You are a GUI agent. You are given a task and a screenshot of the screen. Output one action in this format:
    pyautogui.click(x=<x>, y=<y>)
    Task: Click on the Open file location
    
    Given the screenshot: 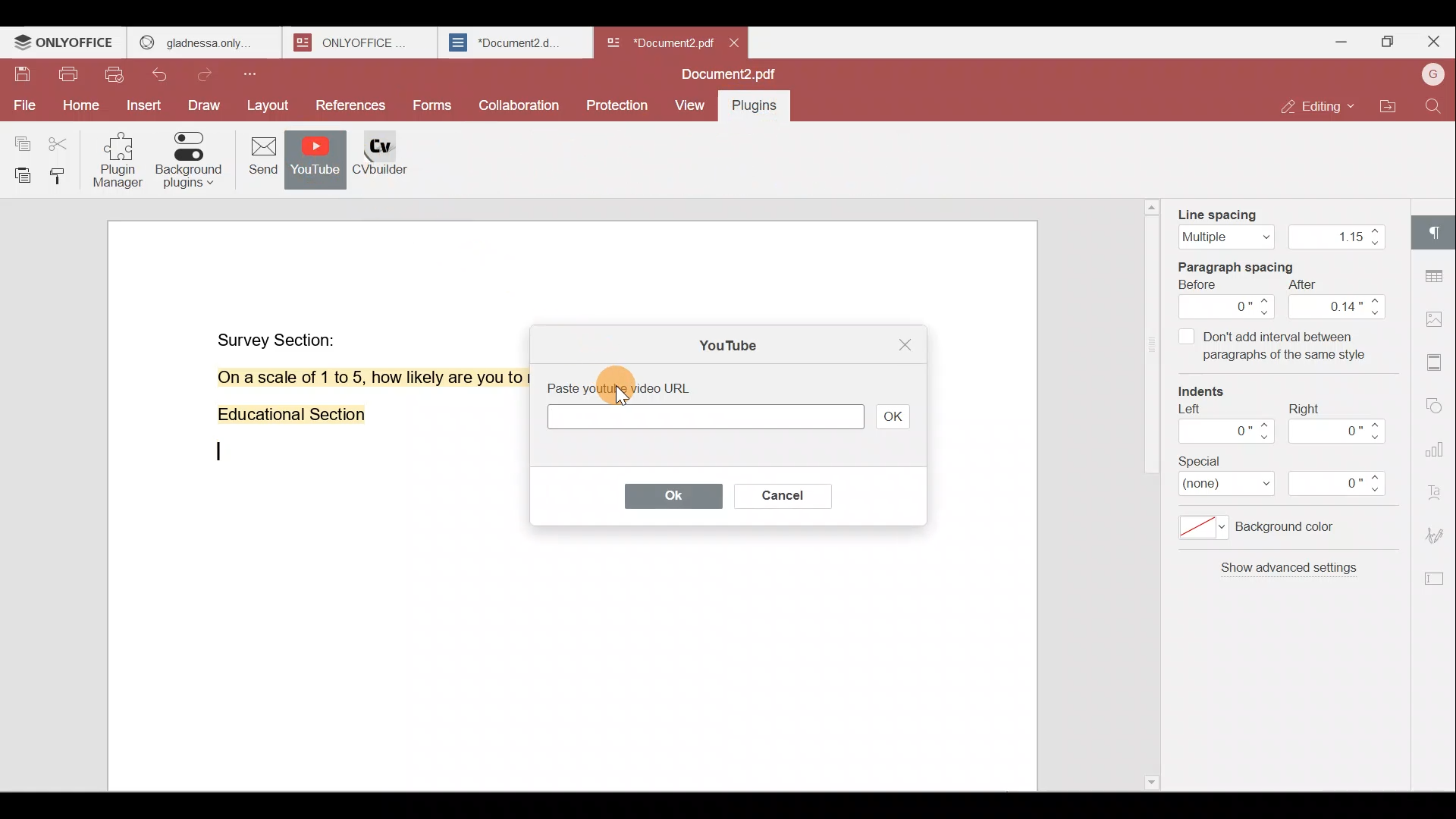 What is the action you would take?
    pyautogui.click(x=1389, y=108)
    